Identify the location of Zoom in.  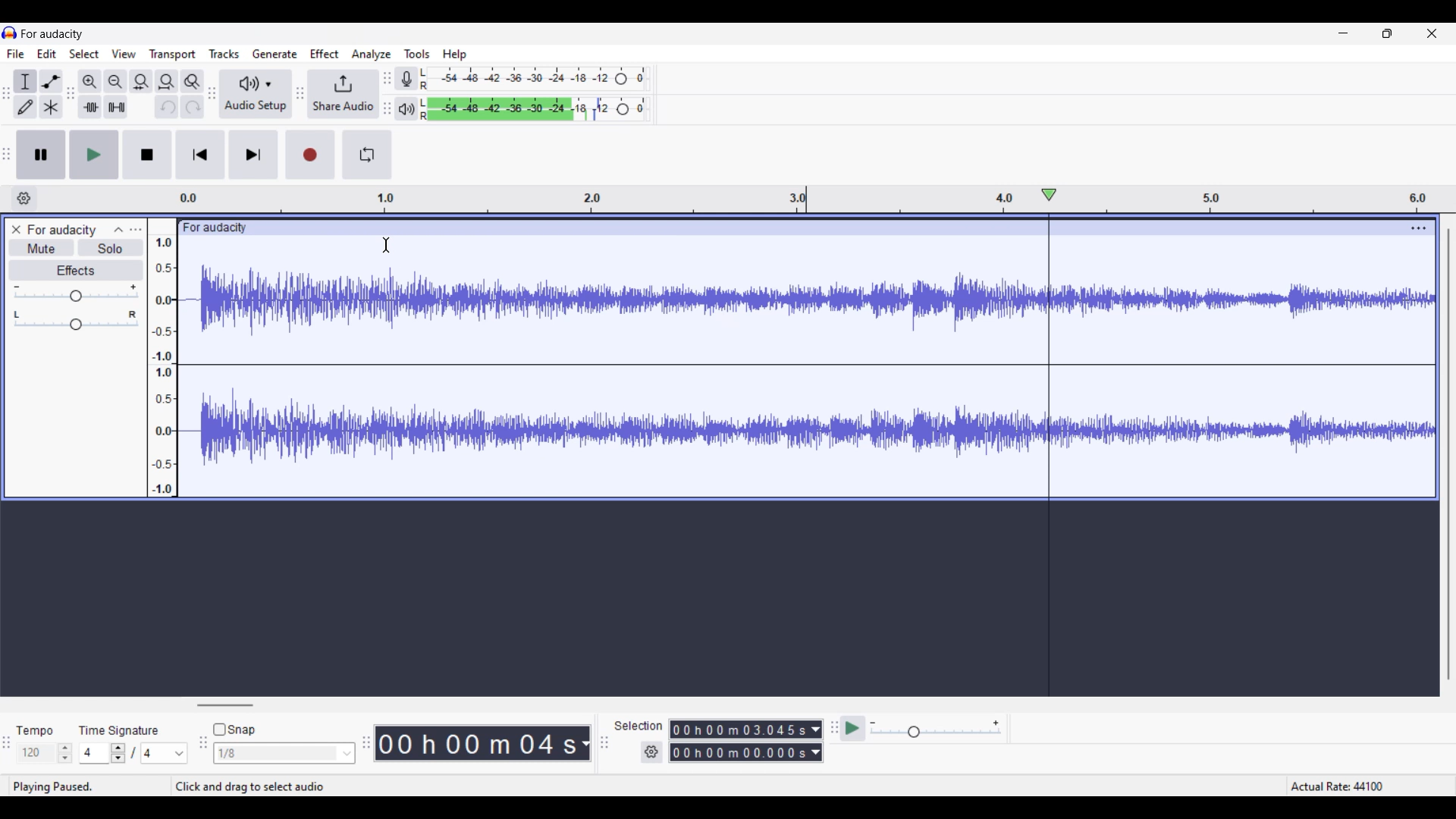
(90, 82).